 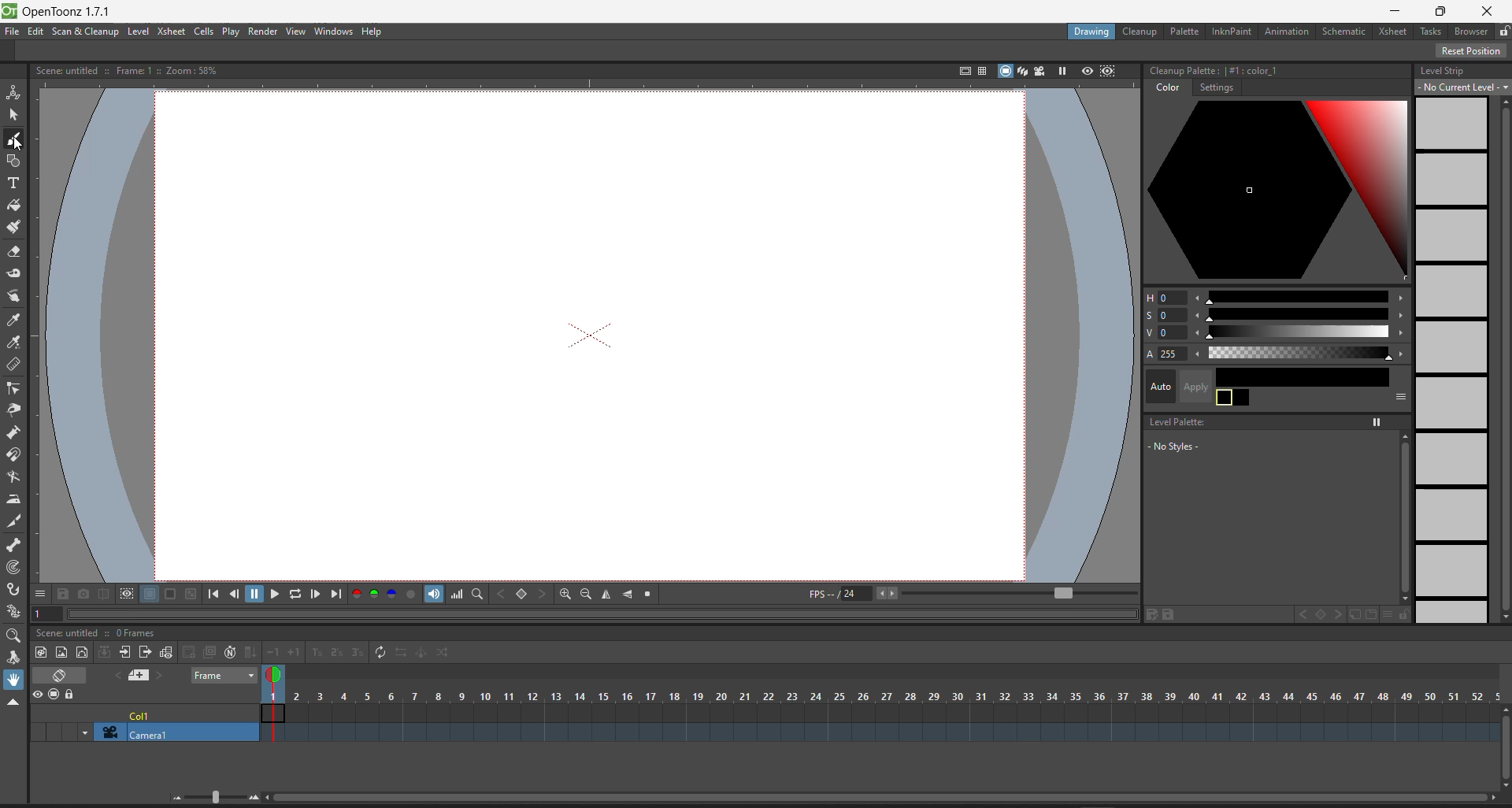 I want to click on new style, so click(x=1359, y=614).